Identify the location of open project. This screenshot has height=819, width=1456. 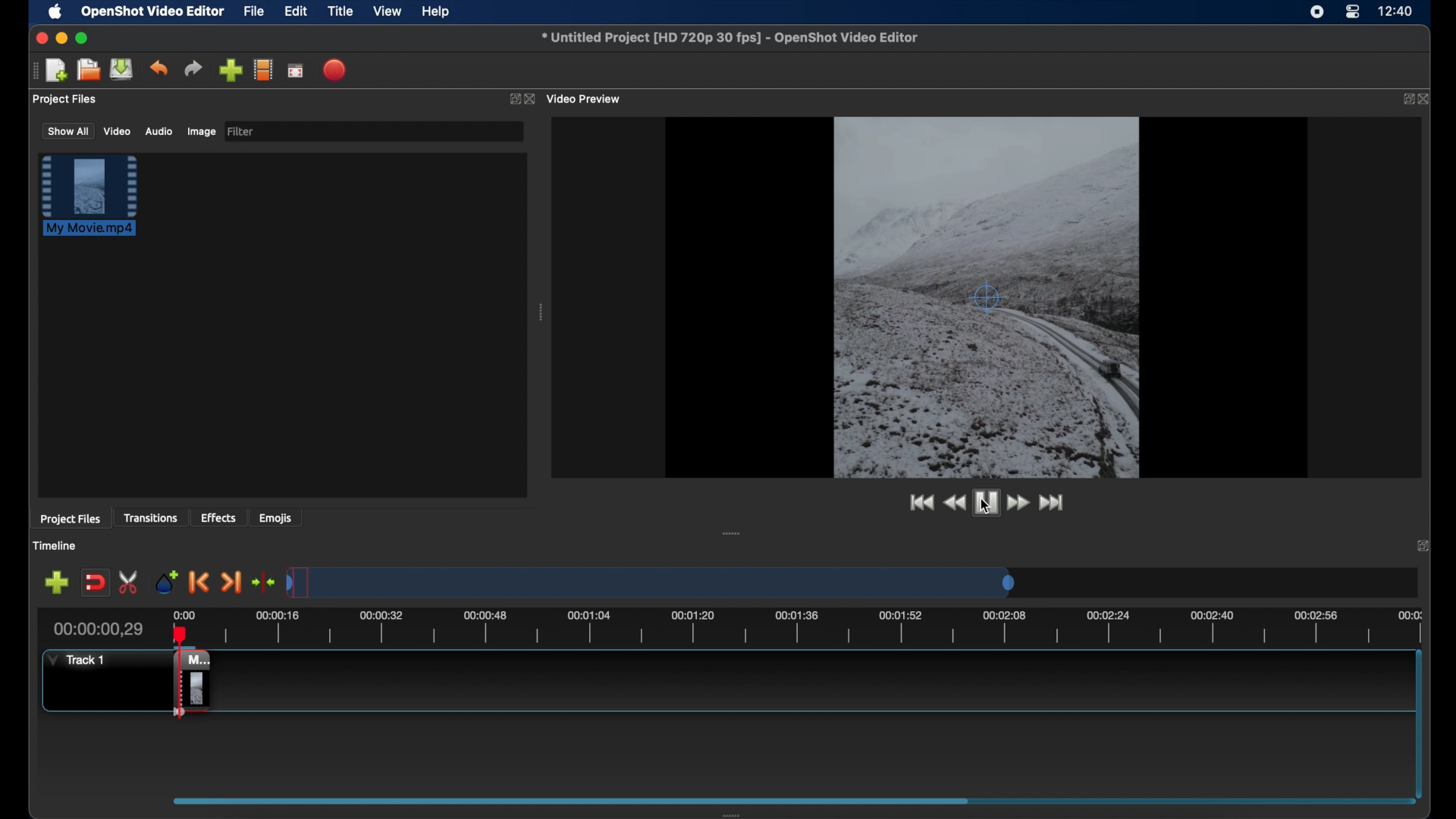
(88, 70).